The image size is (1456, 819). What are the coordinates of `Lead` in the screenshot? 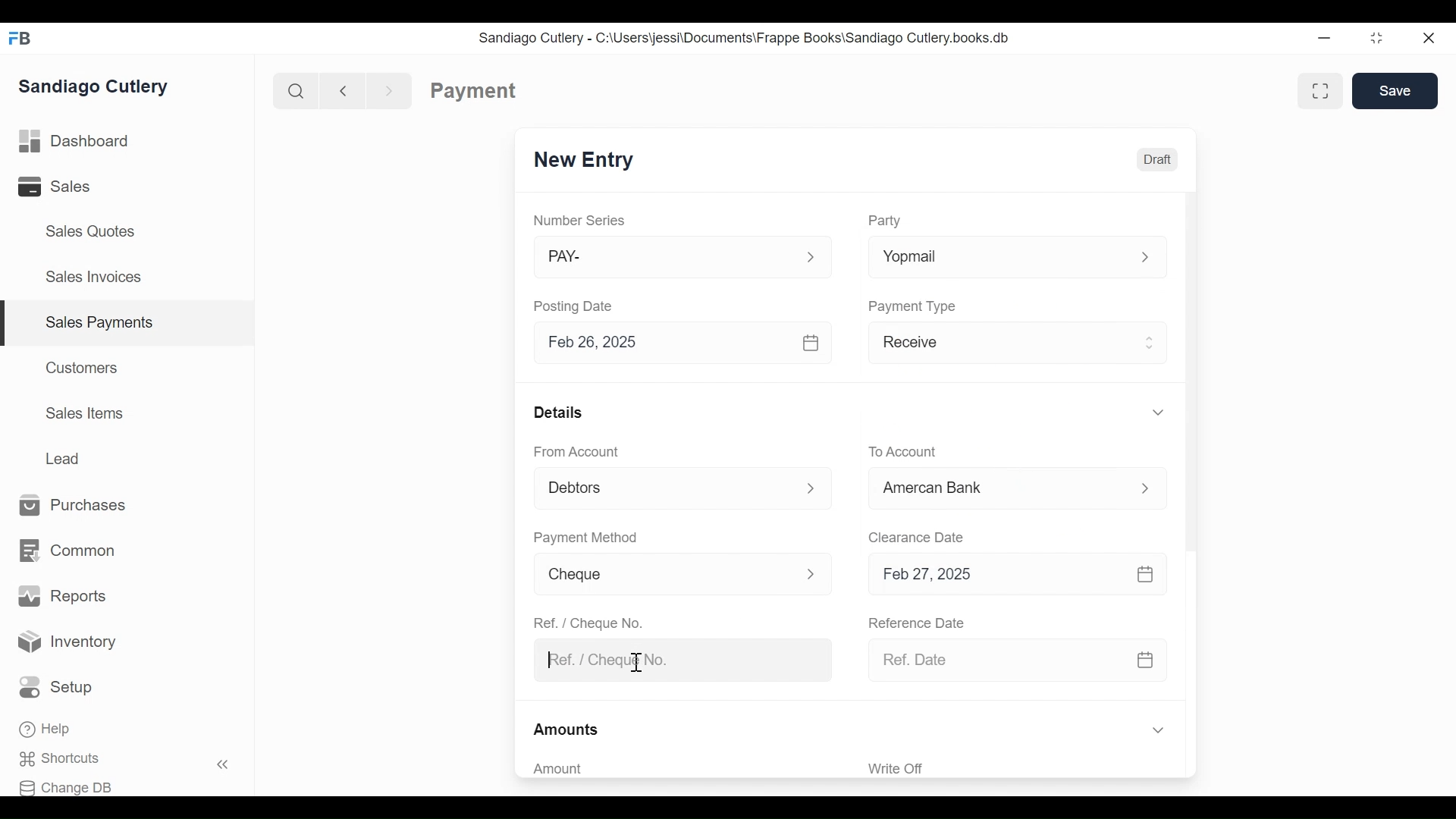 It's located at (65, 457).